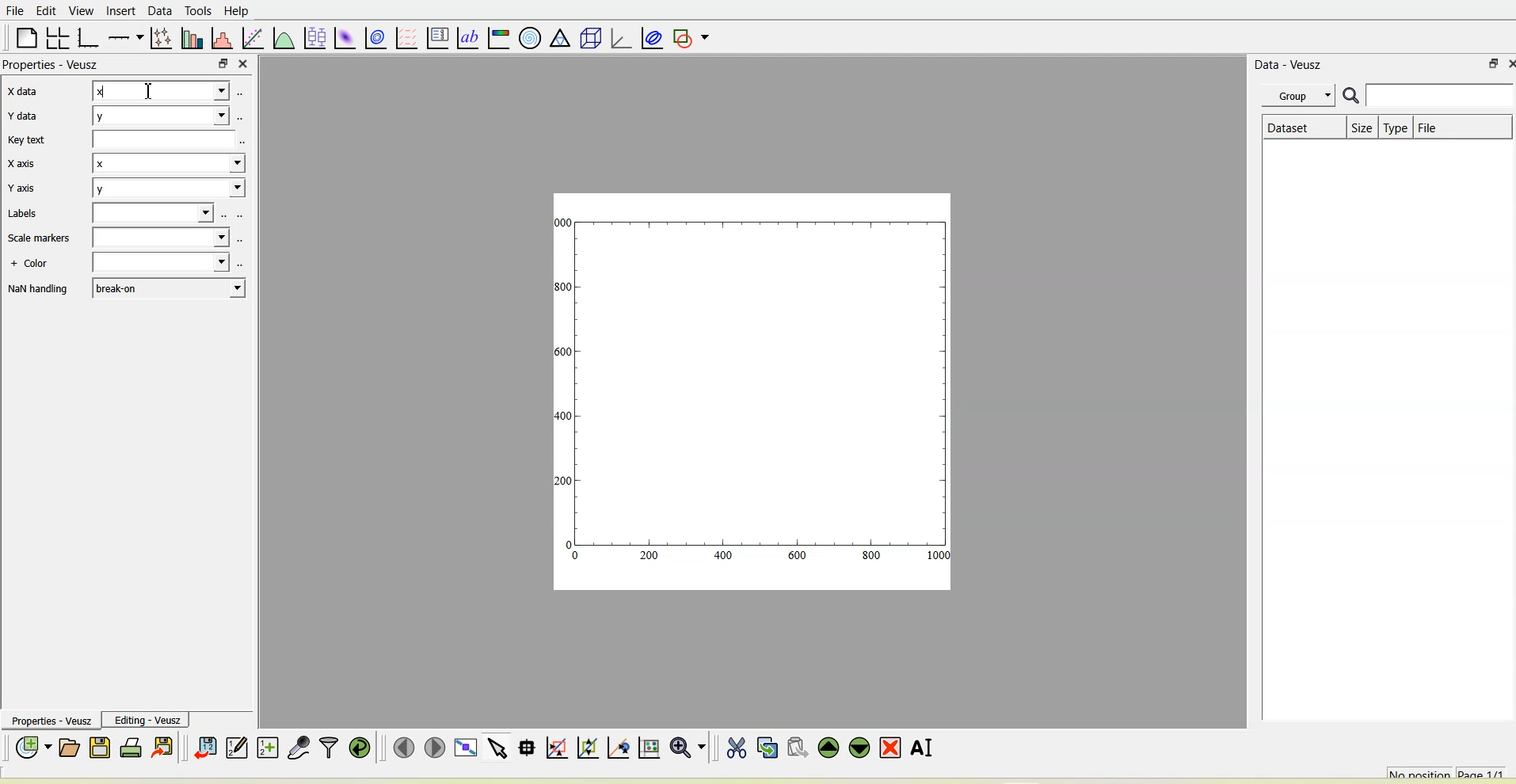 The image size is (1516, 784). Describe the element at coordinates (245, 215) in the screenshot. I see `select using dataset browser` at that location.